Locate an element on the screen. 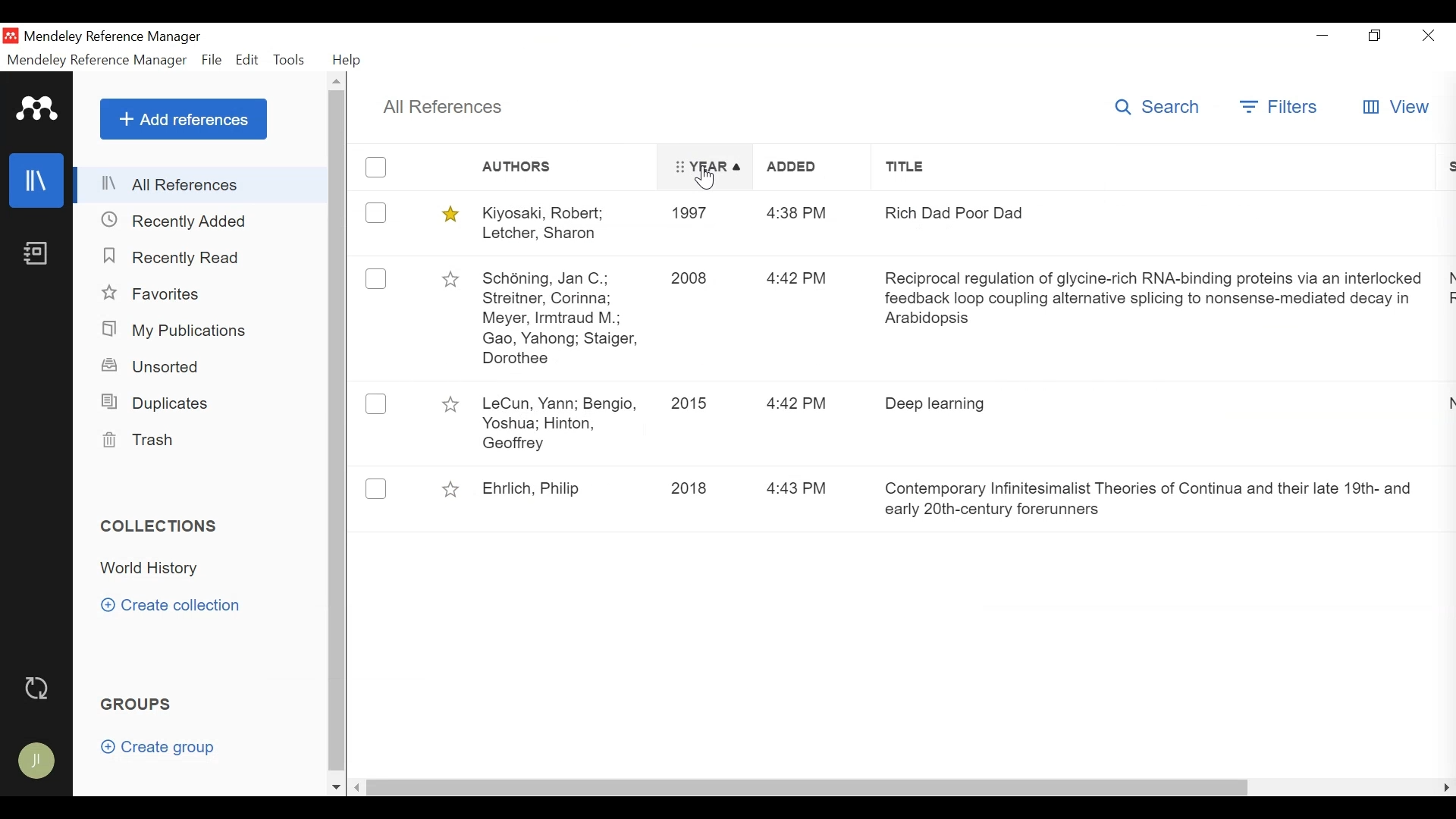 Image resolution: width=1456 pixels, height=819 pixels. Recently Added is located at coordinates (177, 259).